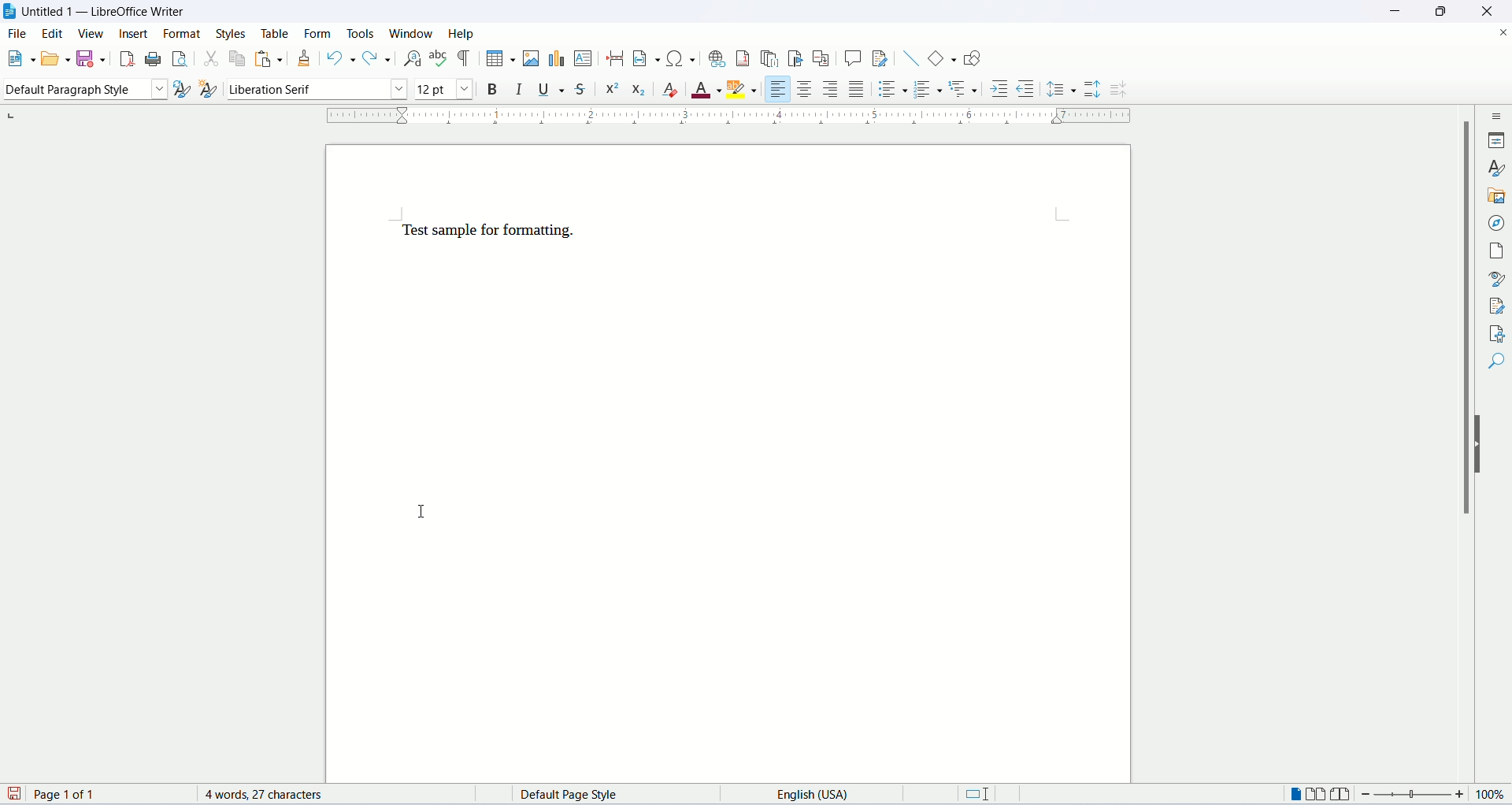 This screenshot has width=1512, height=805. Describe the element at coordinates (999, 91) in the screenshot. I see `increase indent` at that location.